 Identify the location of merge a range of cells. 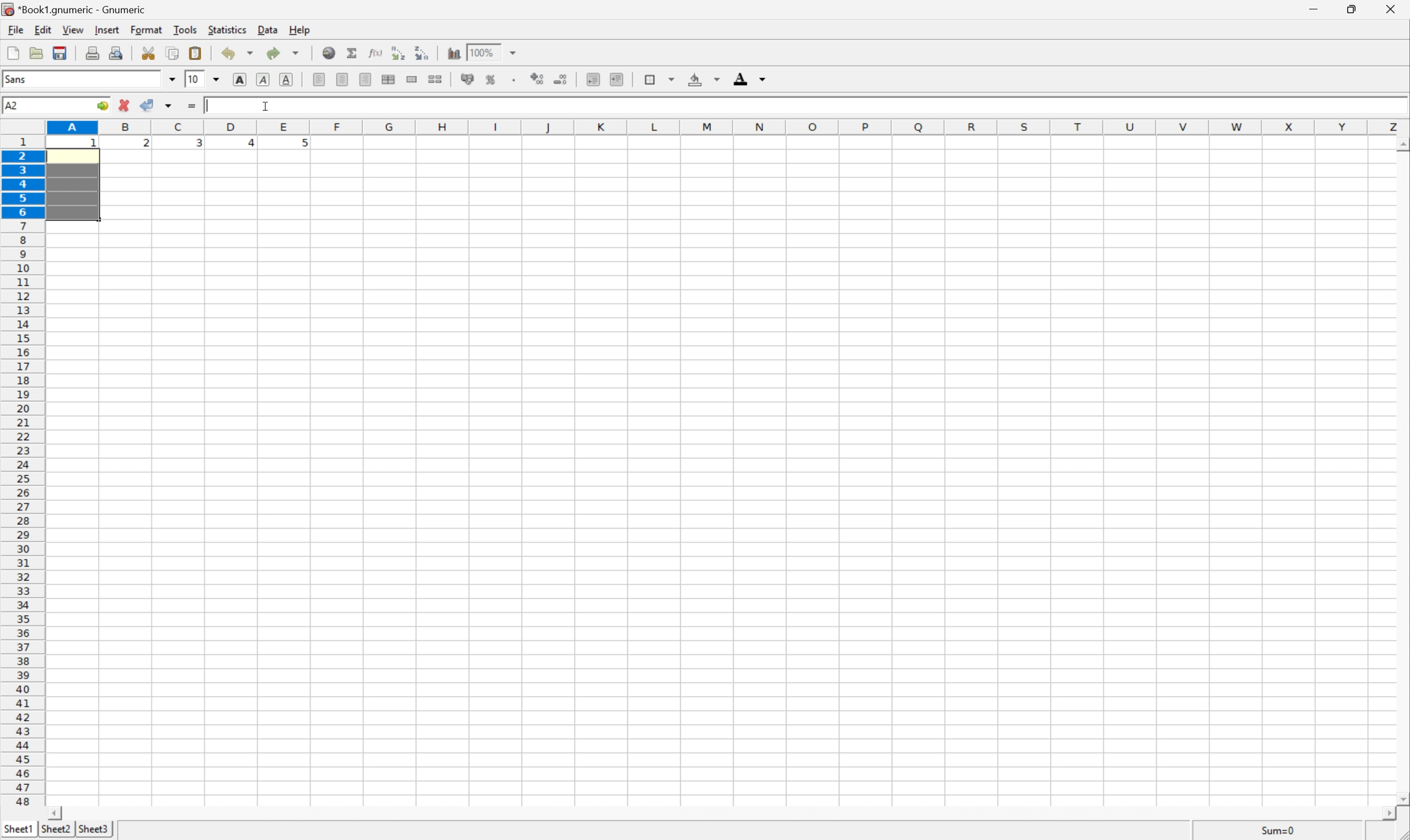
(413, 80).